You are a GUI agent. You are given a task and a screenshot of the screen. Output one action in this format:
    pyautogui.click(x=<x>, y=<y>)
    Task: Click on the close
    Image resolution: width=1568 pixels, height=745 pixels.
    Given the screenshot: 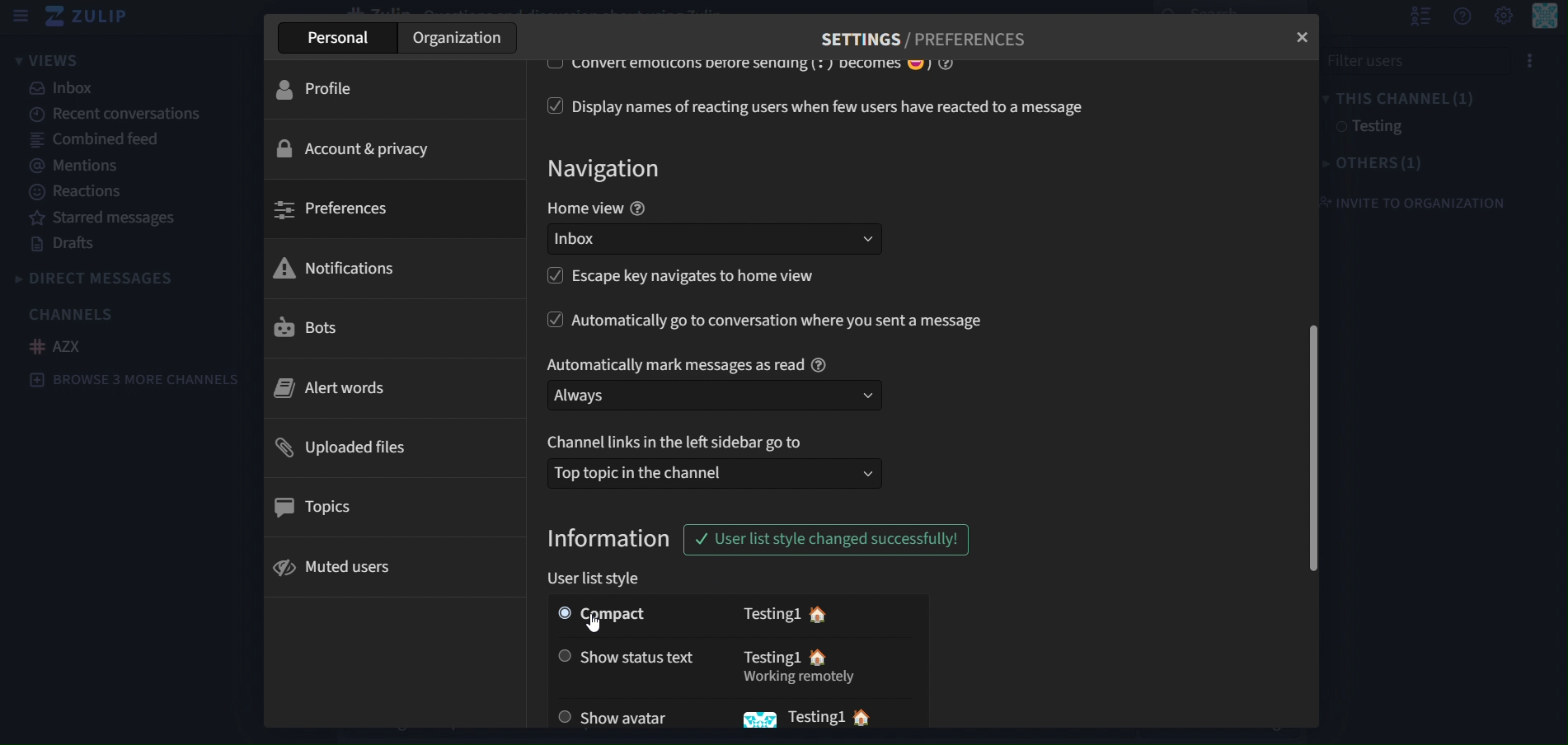 What is the action you would take?
    pyautogui.click(x=1305, y=35)
    